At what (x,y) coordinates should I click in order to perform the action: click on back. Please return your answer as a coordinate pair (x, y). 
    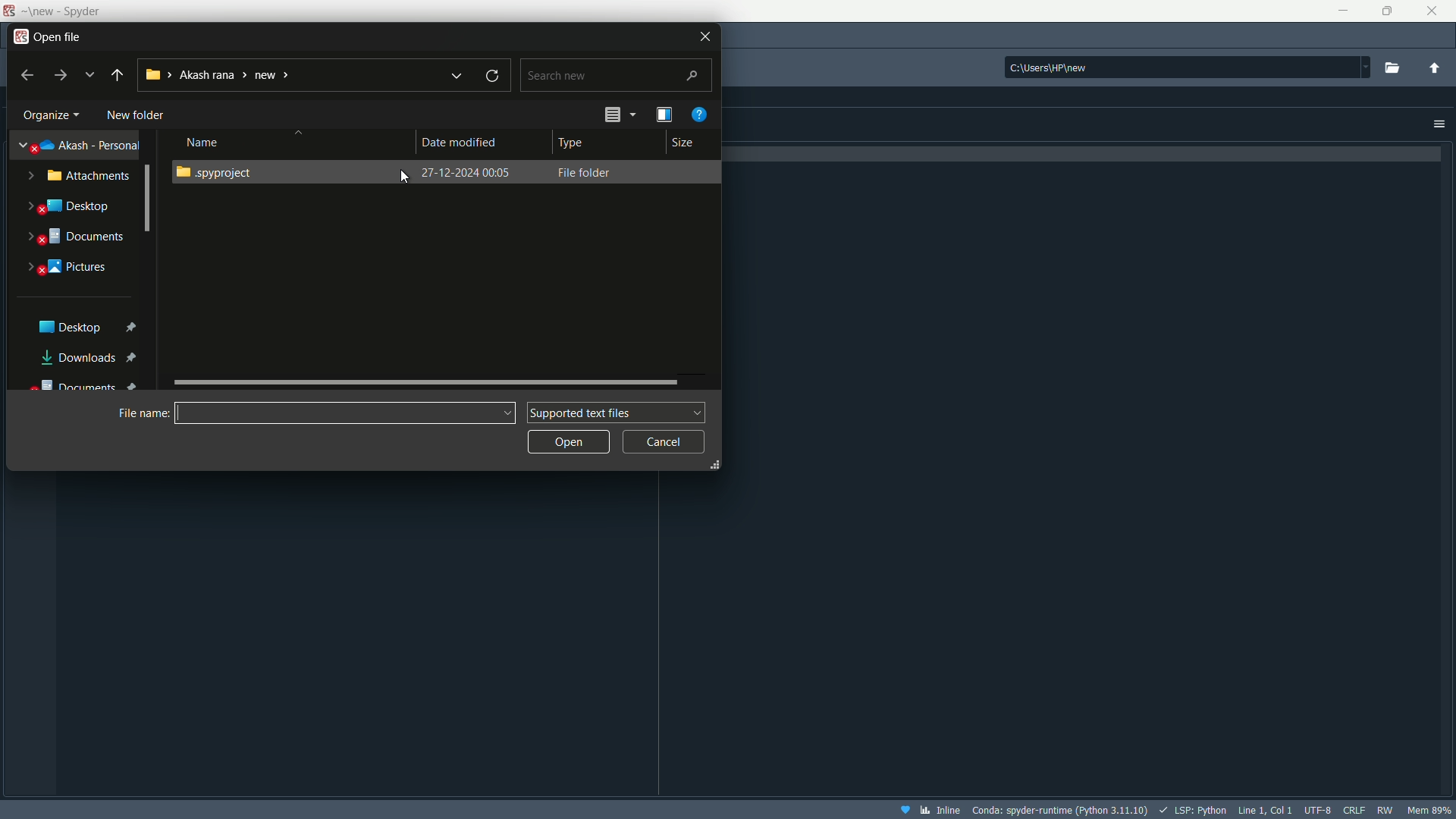
    Looking at the image, I should click on (26, 77).